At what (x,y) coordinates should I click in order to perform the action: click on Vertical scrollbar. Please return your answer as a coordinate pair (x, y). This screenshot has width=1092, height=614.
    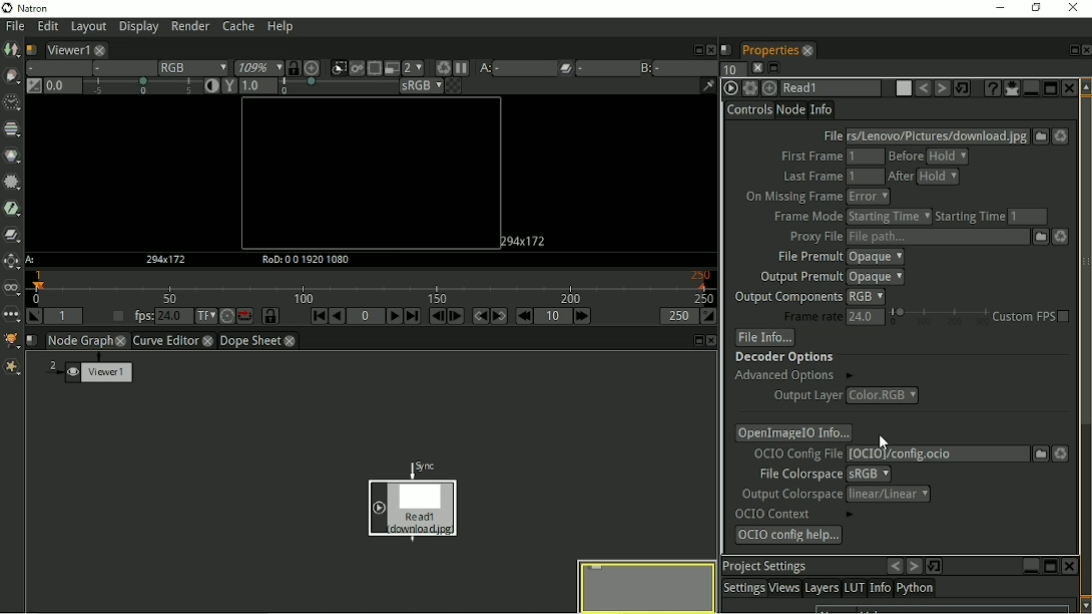
    Looking at the image, I should click on (1085, 265).